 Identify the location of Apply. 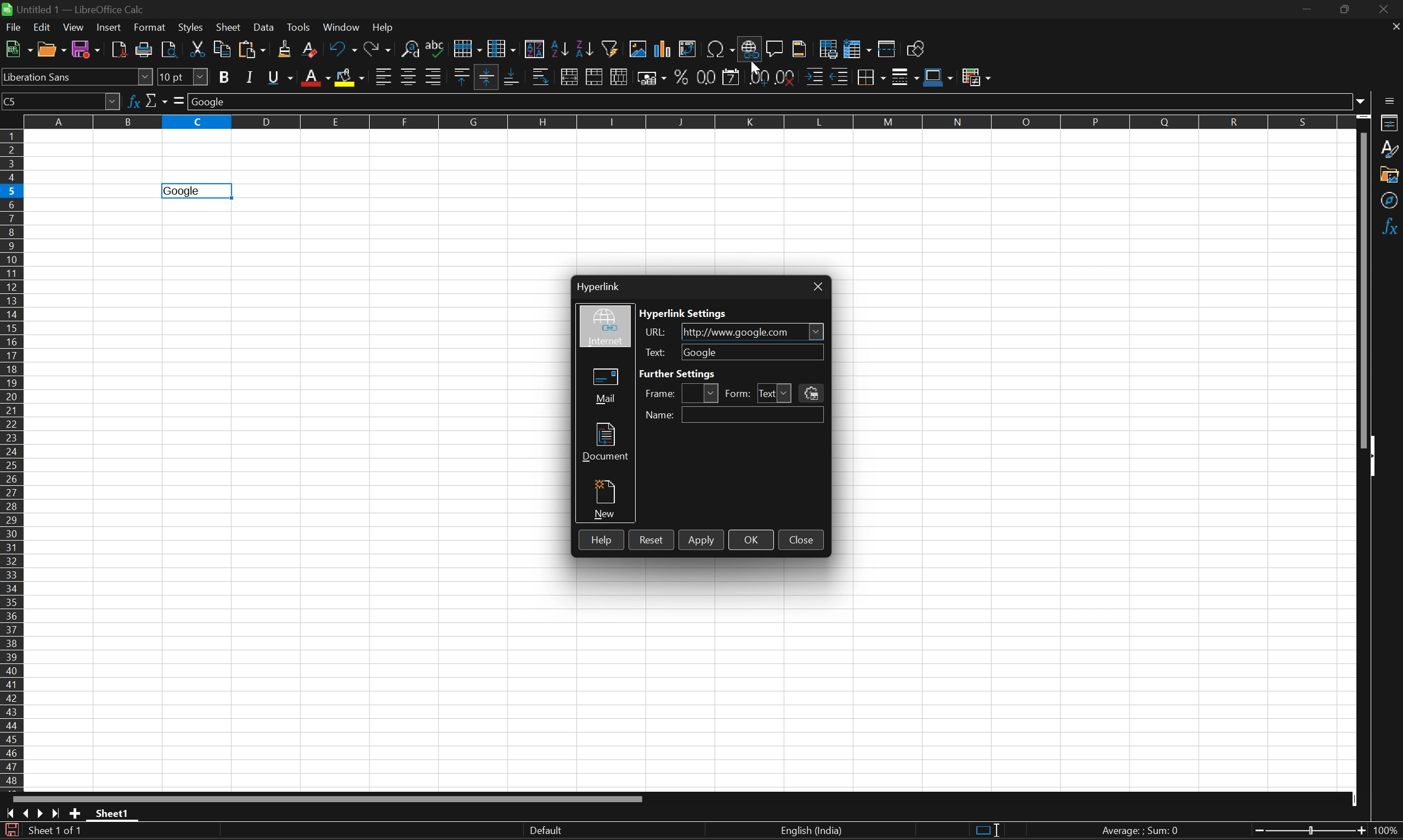
(701, 541).